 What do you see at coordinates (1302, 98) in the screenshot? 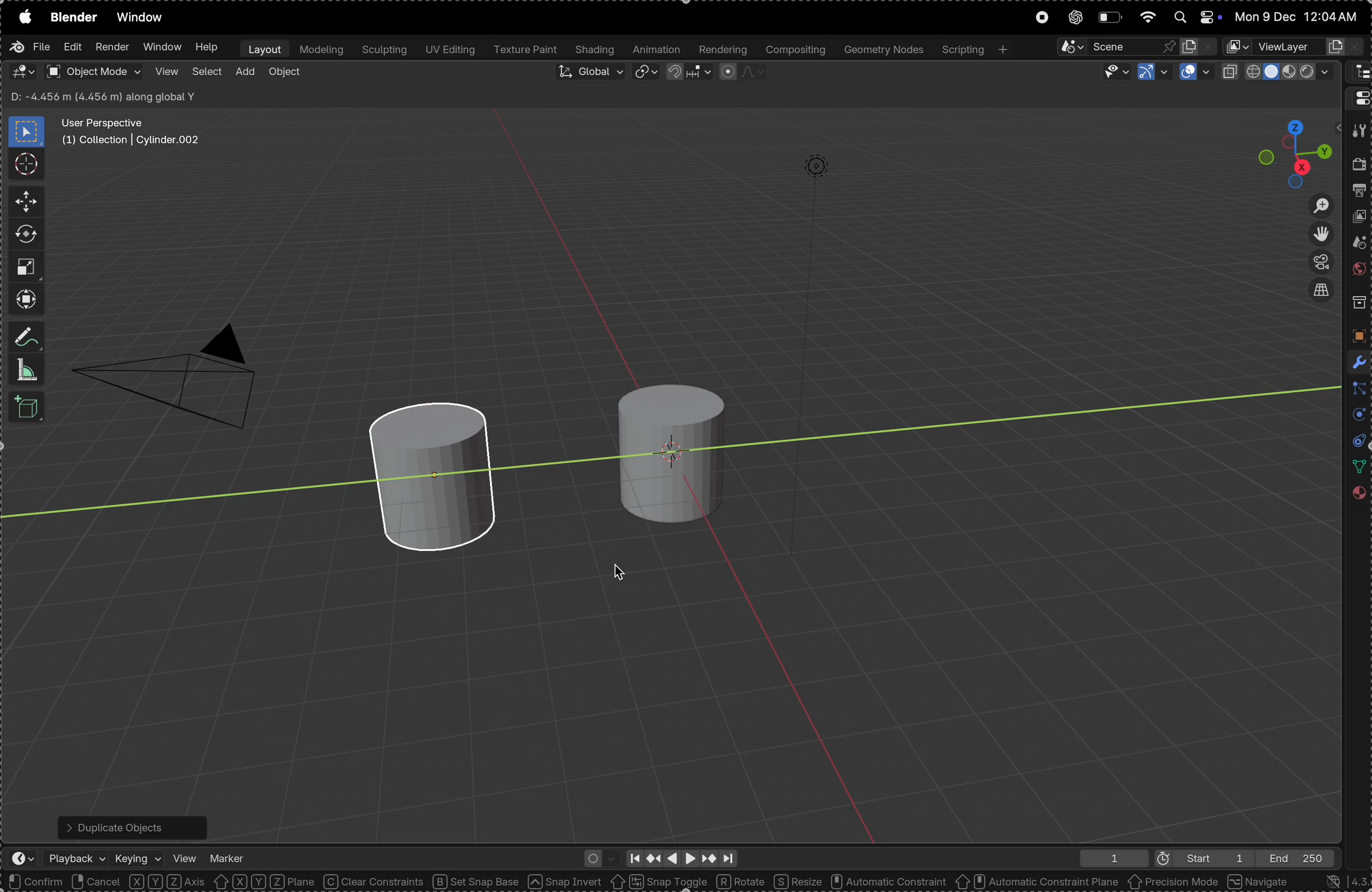
I see `options` at bounding box center [1302, 98].